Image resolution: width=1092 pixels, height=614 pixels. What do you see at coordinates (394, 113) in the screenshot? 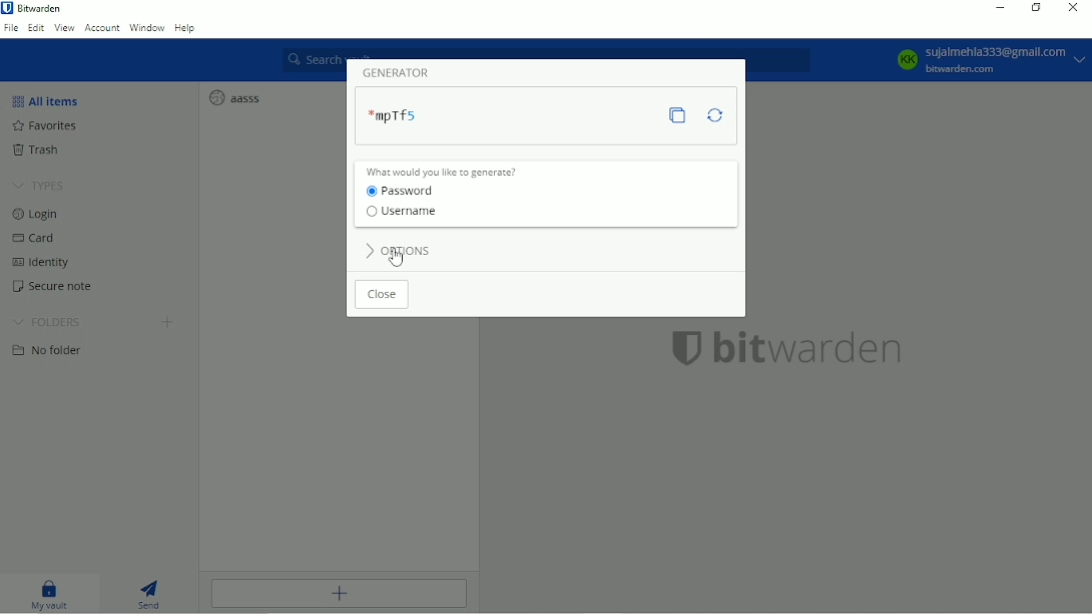
I see `Password generated` at bounding box center [394, 113].